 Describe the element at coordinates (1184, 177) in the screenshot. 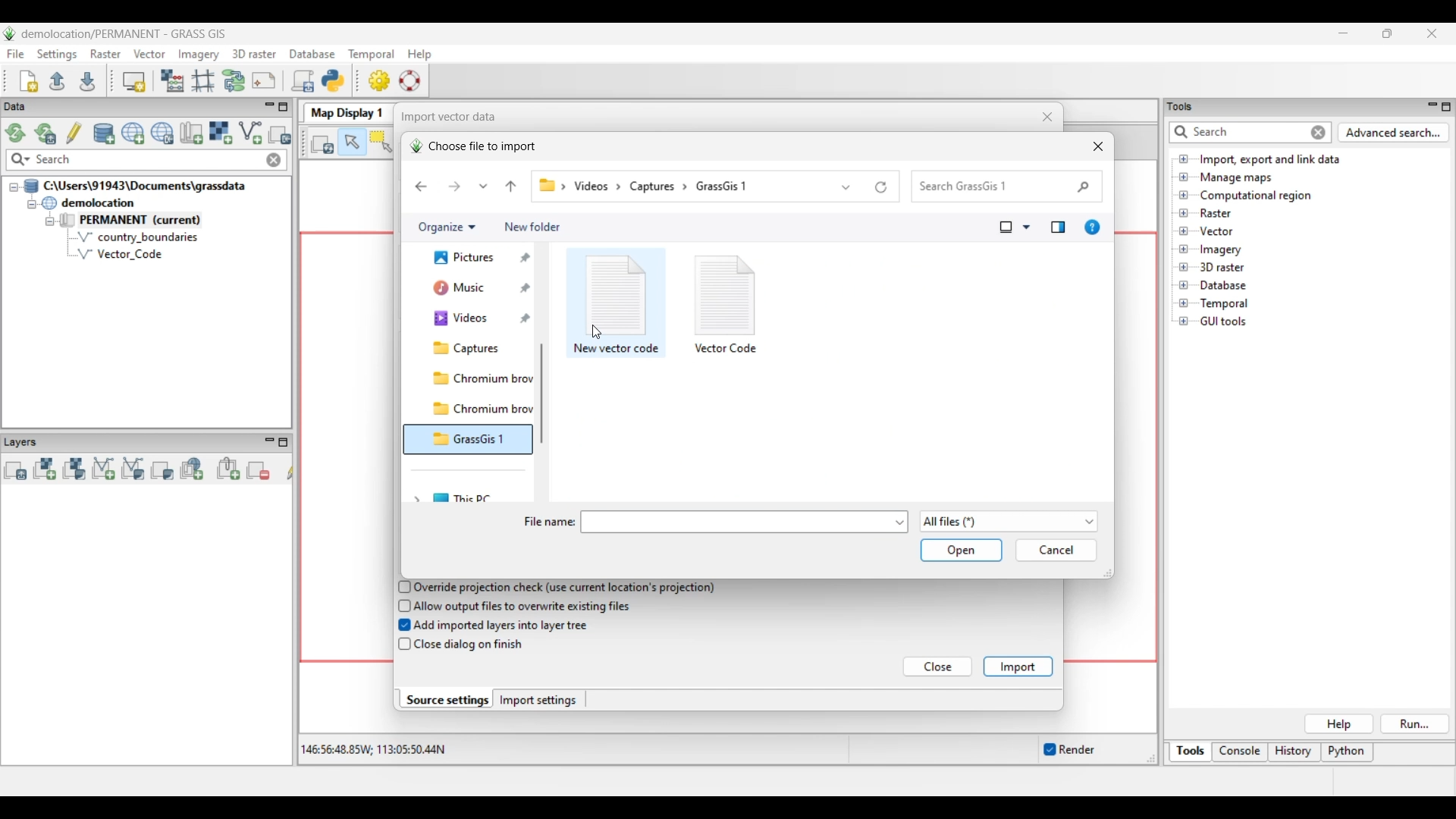

I see `Click to open Manage maps` at that location.